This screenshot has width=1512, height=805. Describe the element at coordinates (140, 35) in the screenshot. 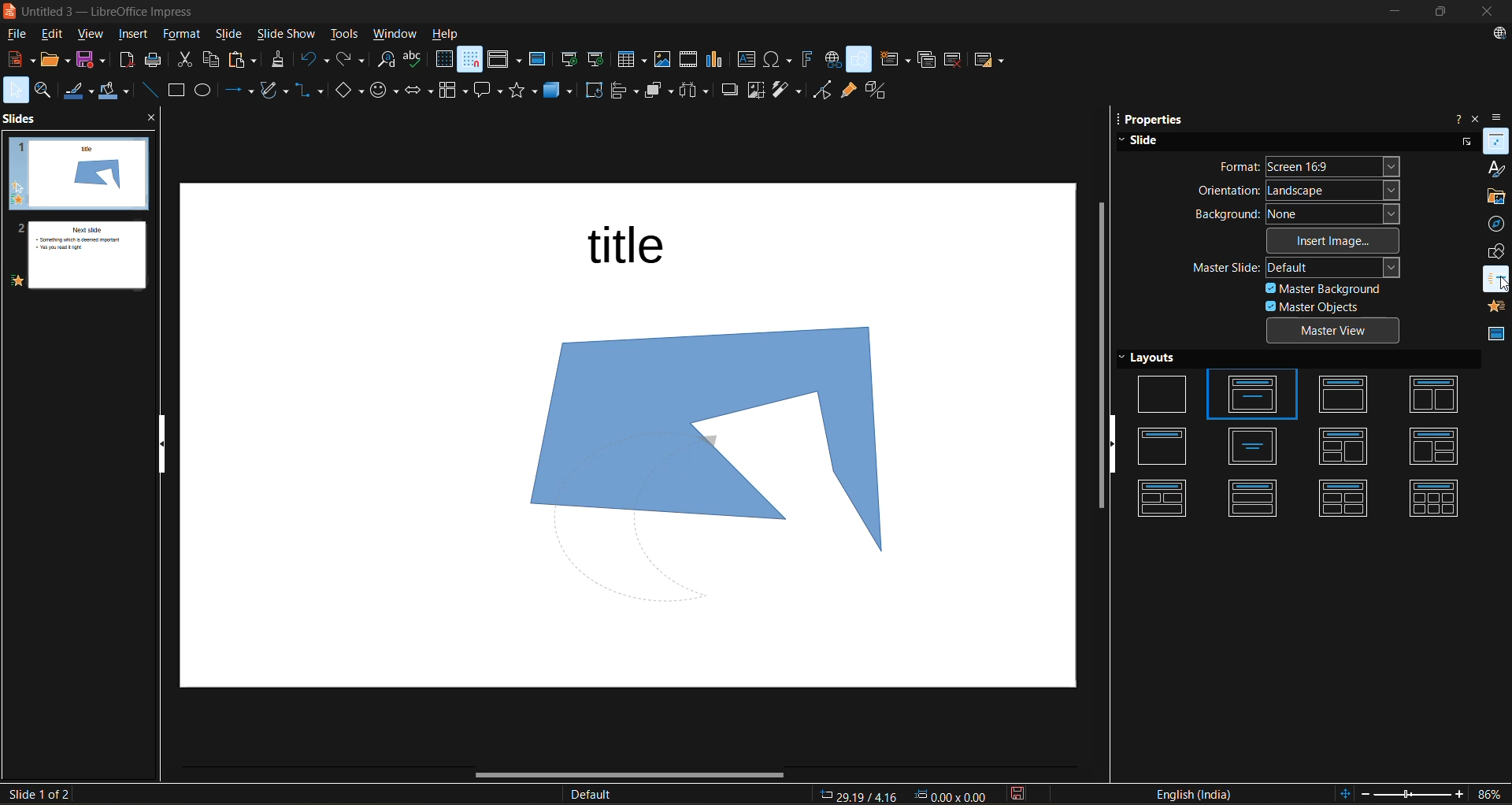

I see `insert` at that location.